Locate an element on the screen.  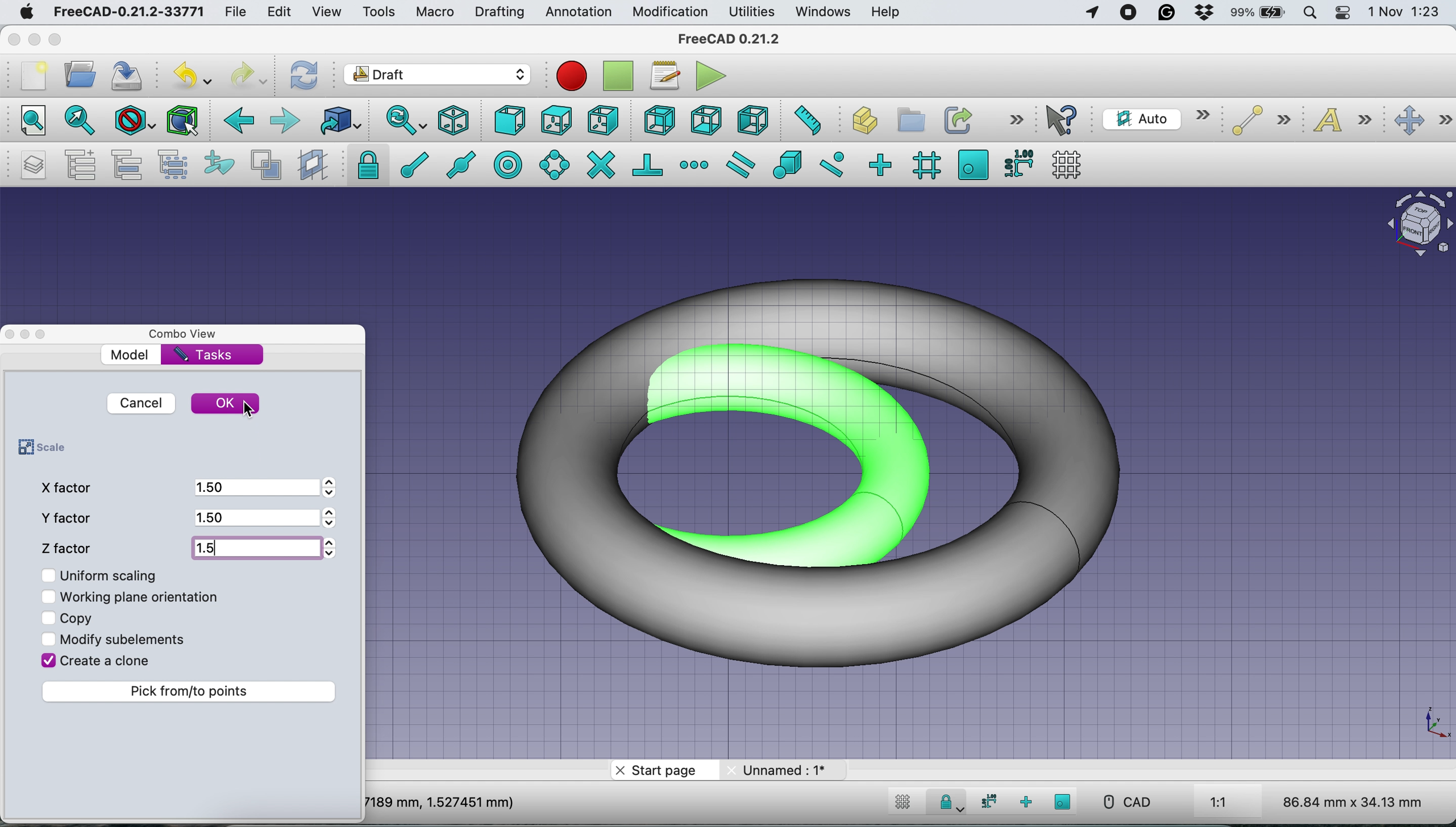
combo view is located at coordinates (190, 335).